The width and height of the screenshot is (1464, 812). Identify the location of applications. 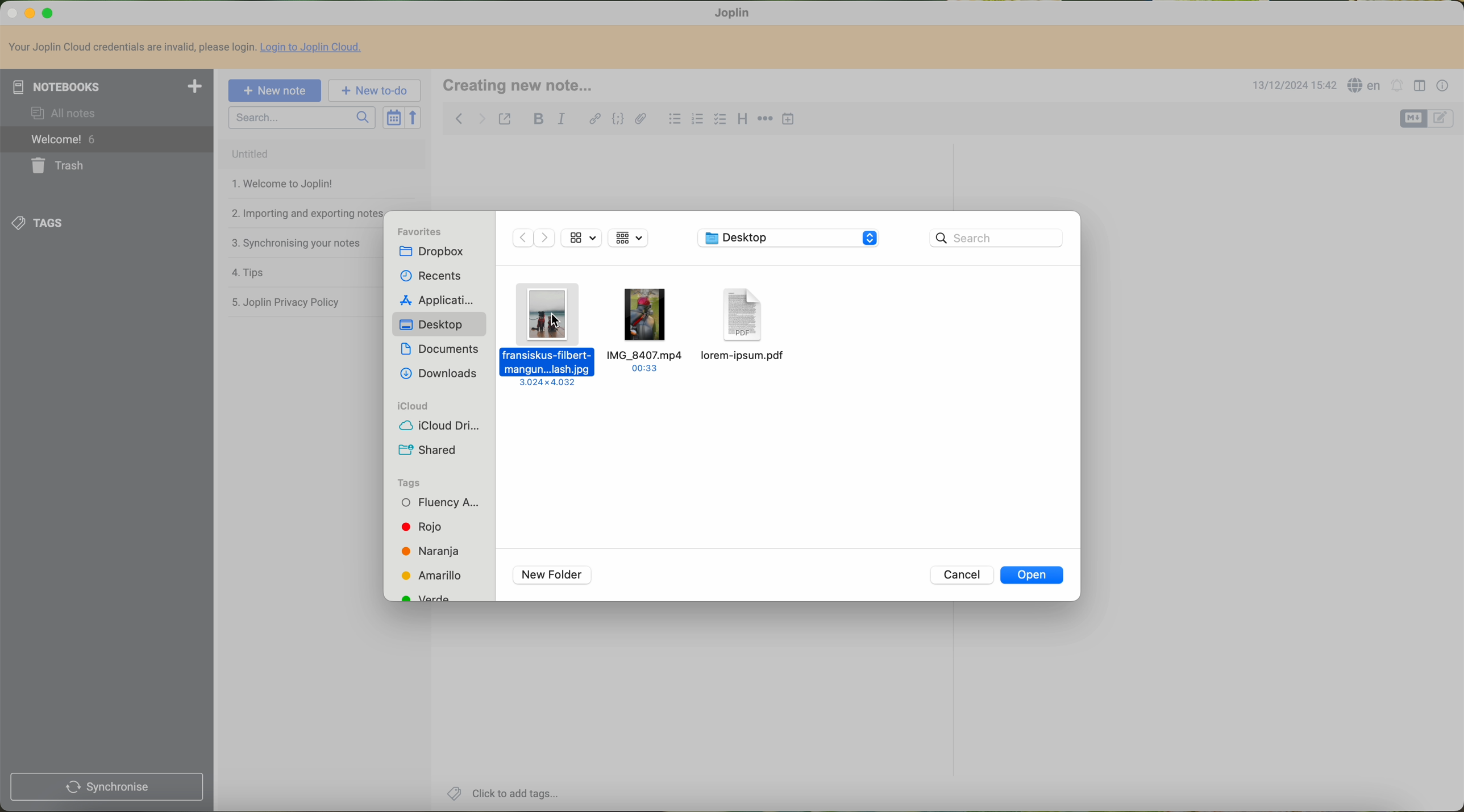
(441, 301).